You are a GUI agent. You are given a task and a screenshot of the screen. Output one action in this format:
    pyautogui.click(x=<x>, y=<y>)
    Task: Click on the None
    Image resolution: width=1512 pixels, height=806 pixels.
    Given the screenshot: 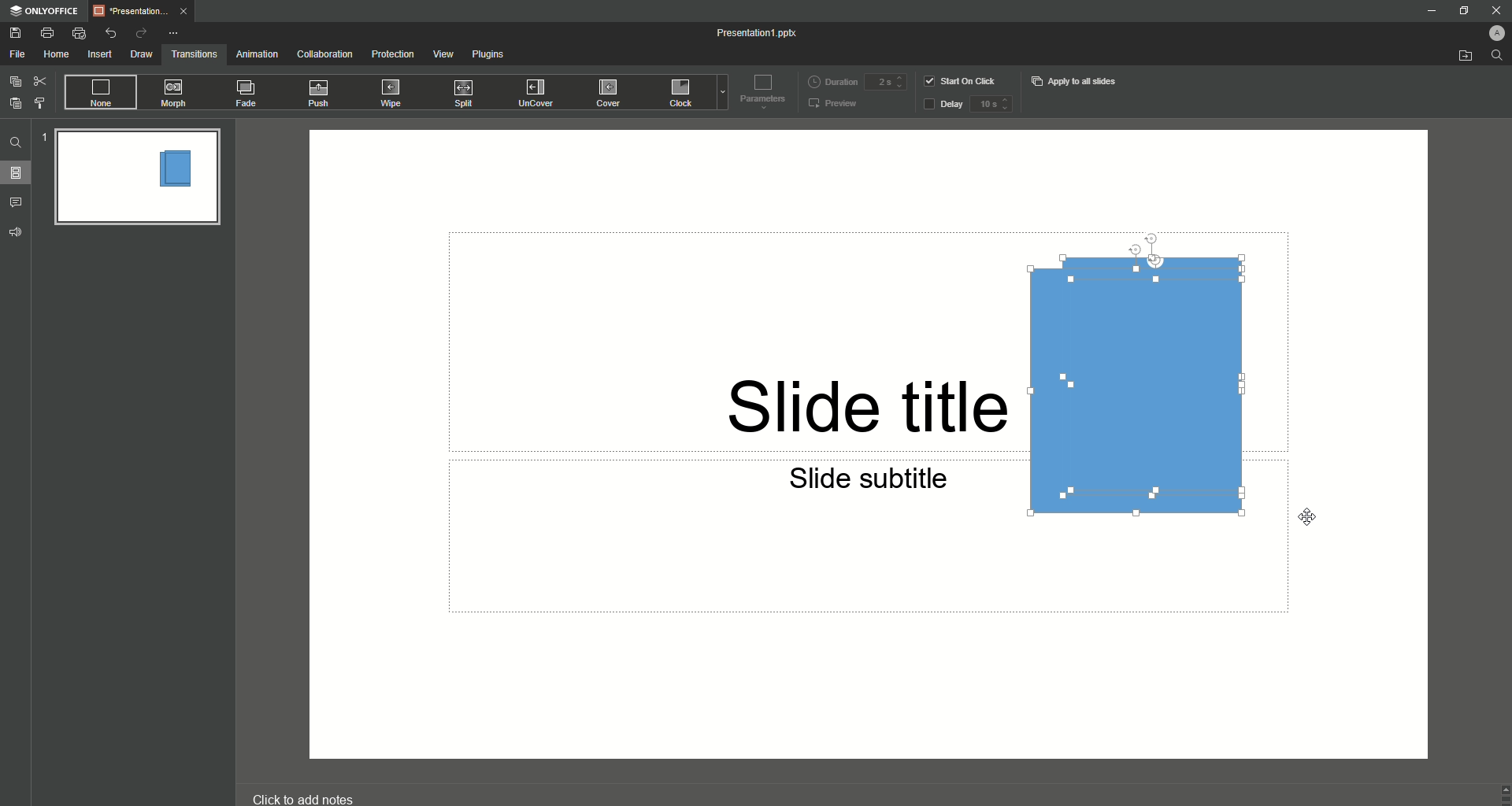 What is the action you would take?
    pyautogui.click(x=99, y=93)
    